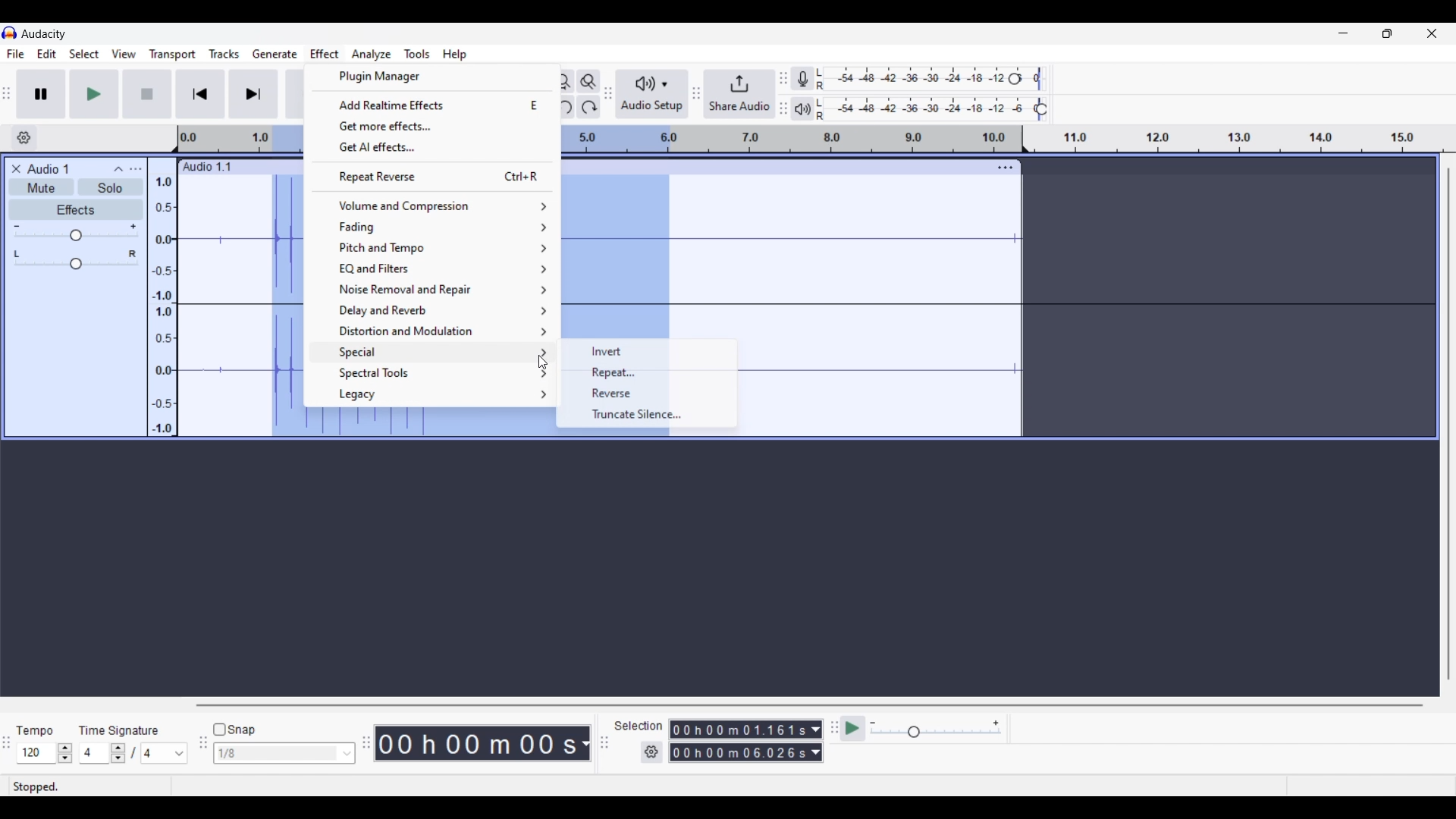  What do you see at coordinates (453, 54) in the screenshot?
I see `Help menu` at bounding box center [453, 54].